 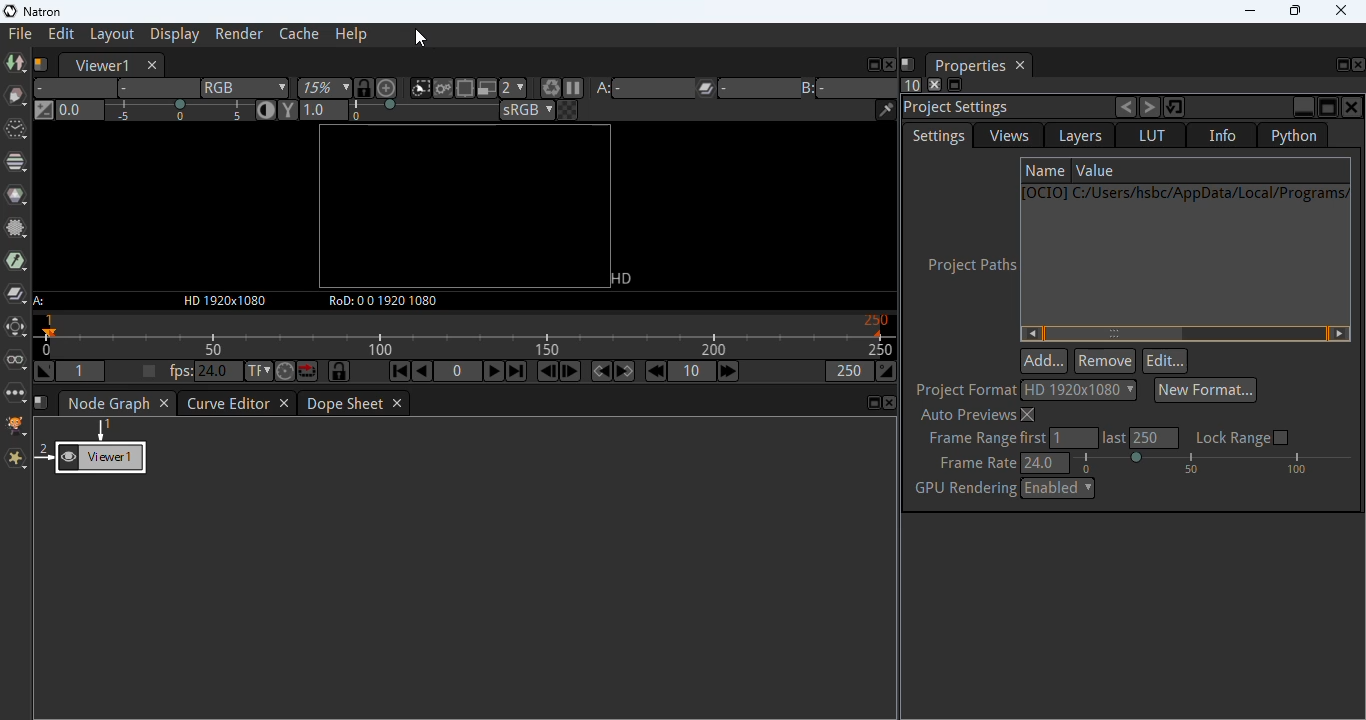 I want to click on filter, so click(x=15, y=229).